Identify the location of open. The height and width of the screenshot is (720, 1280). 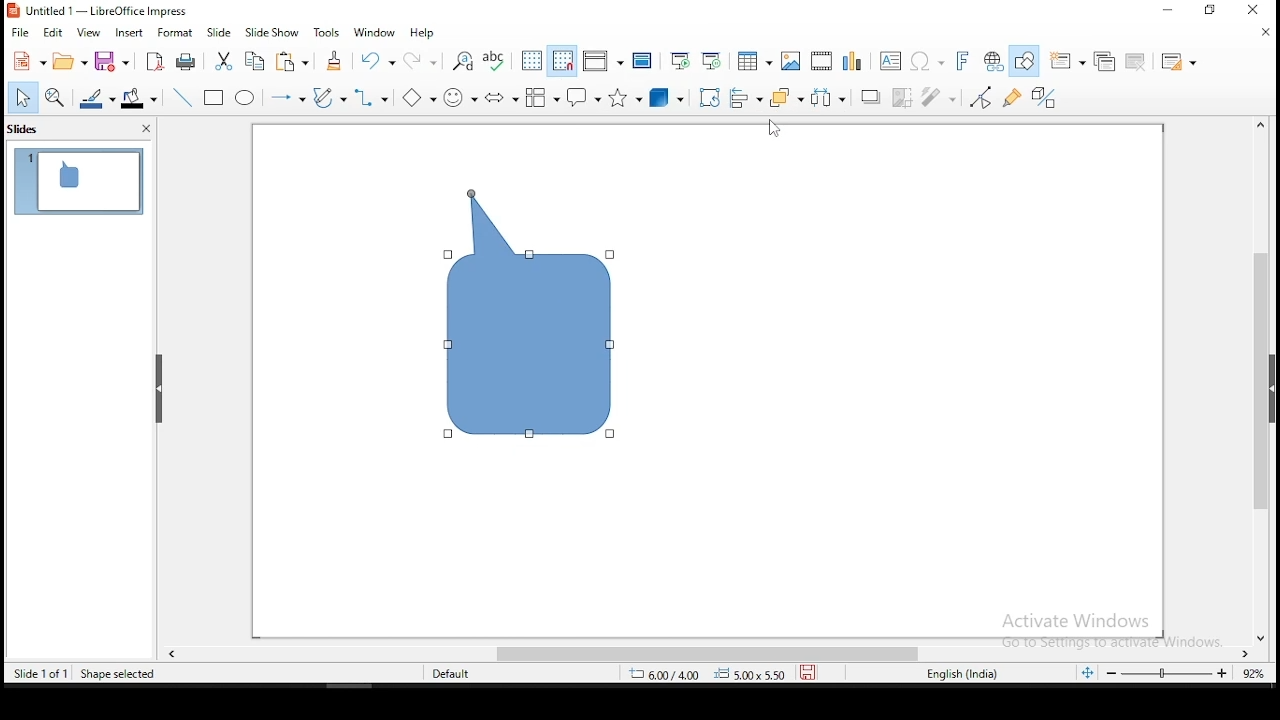
(69, 61).